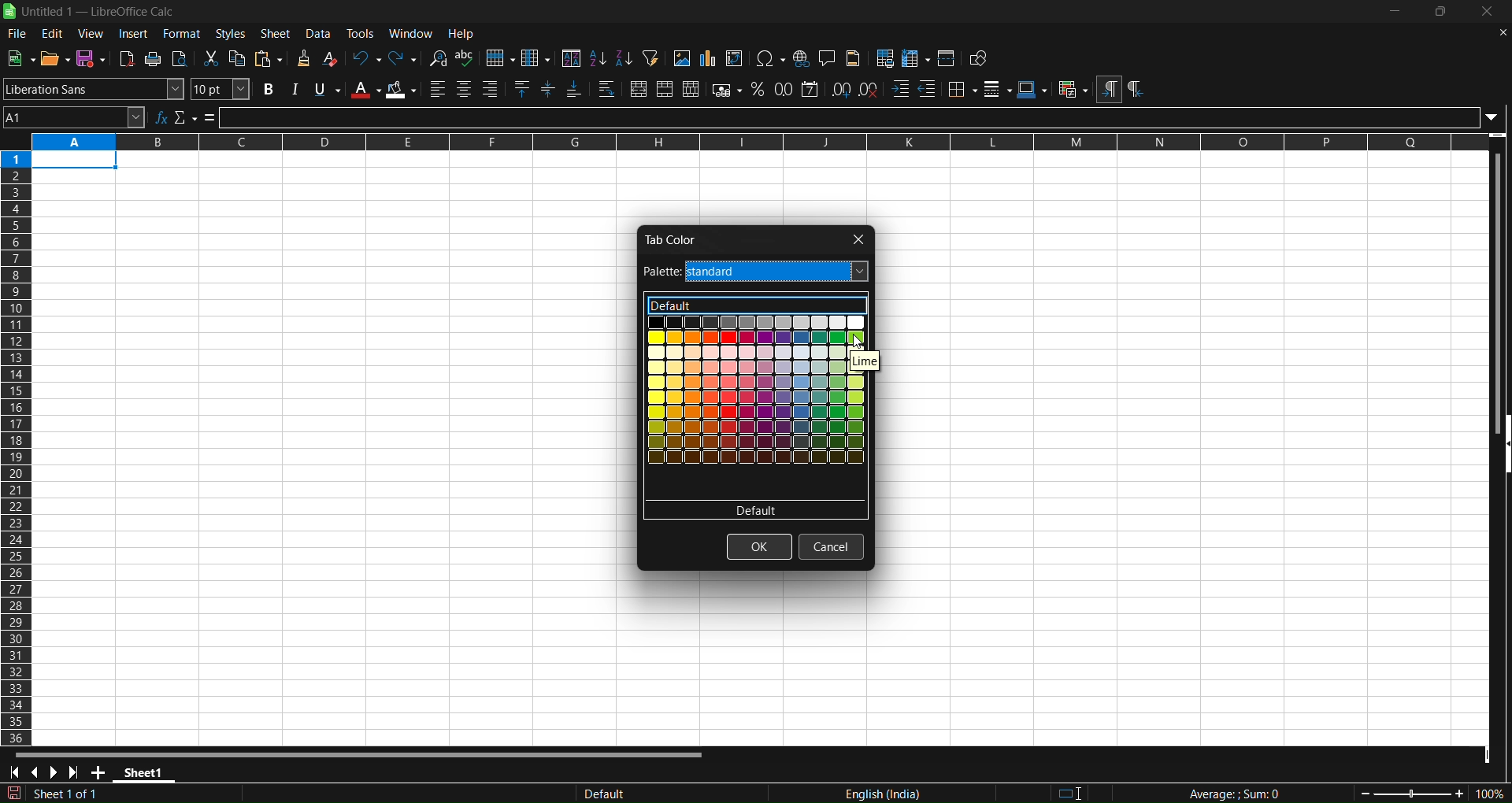  I want to click on background color, so click(402, 90).